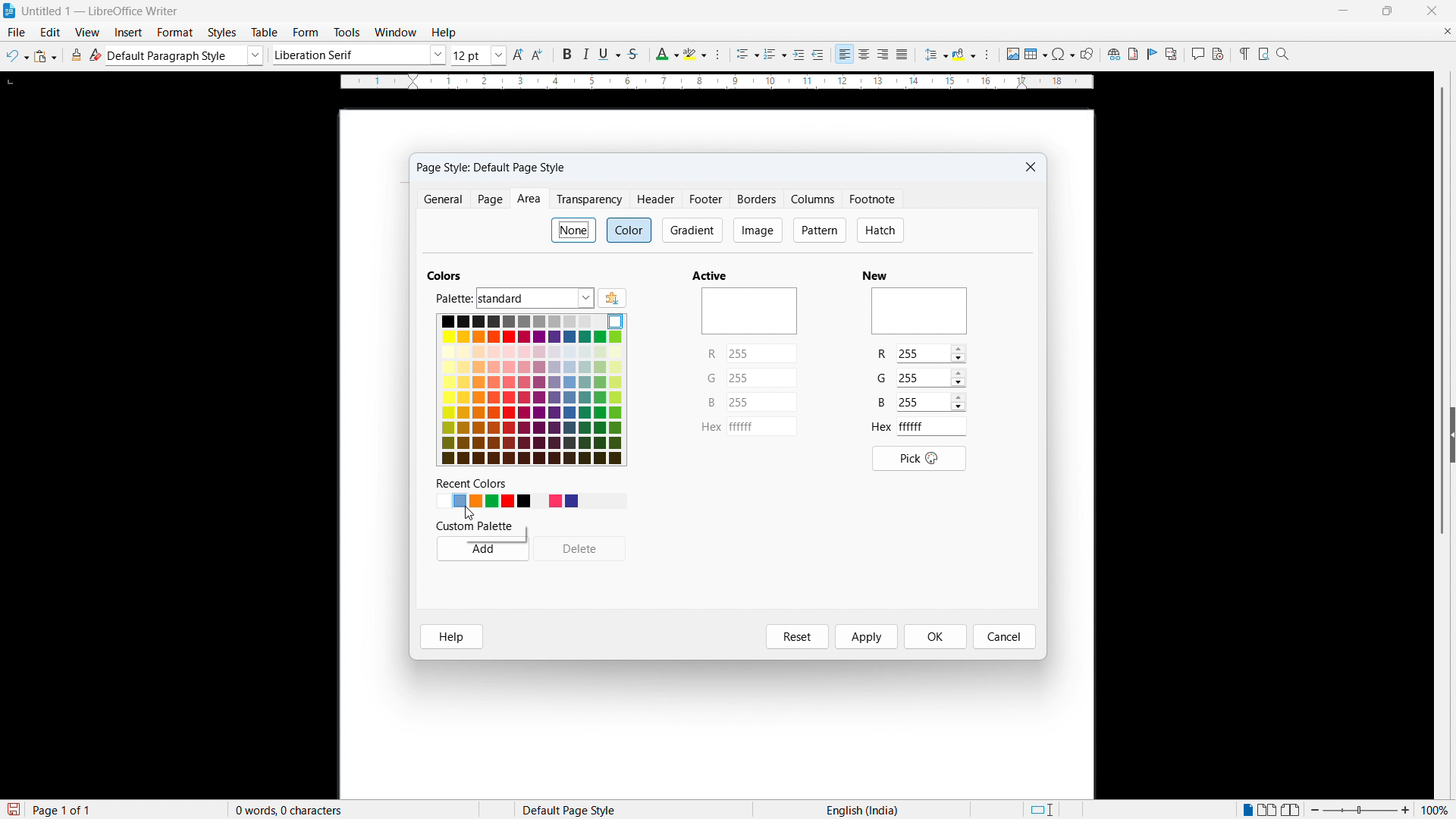 Image resolution: width=1456 pixels, height=819 pixels. I want to click on Reset , so click(798, 636).